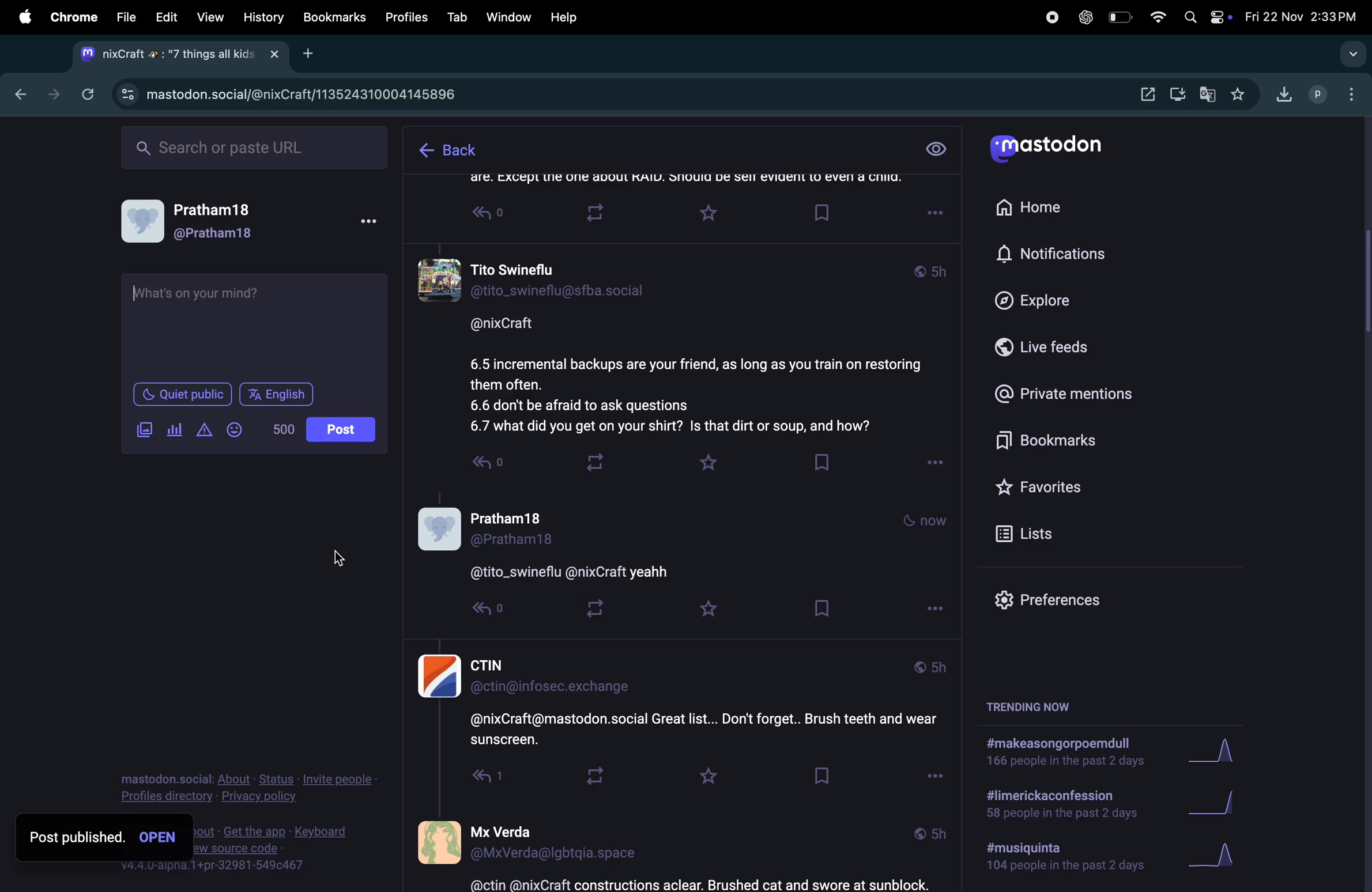 Image resolution: width=1372 pixels, height=892 pixels. Describe the element at coordinates (342, 429) in the screenshot. I see `post` at that location.